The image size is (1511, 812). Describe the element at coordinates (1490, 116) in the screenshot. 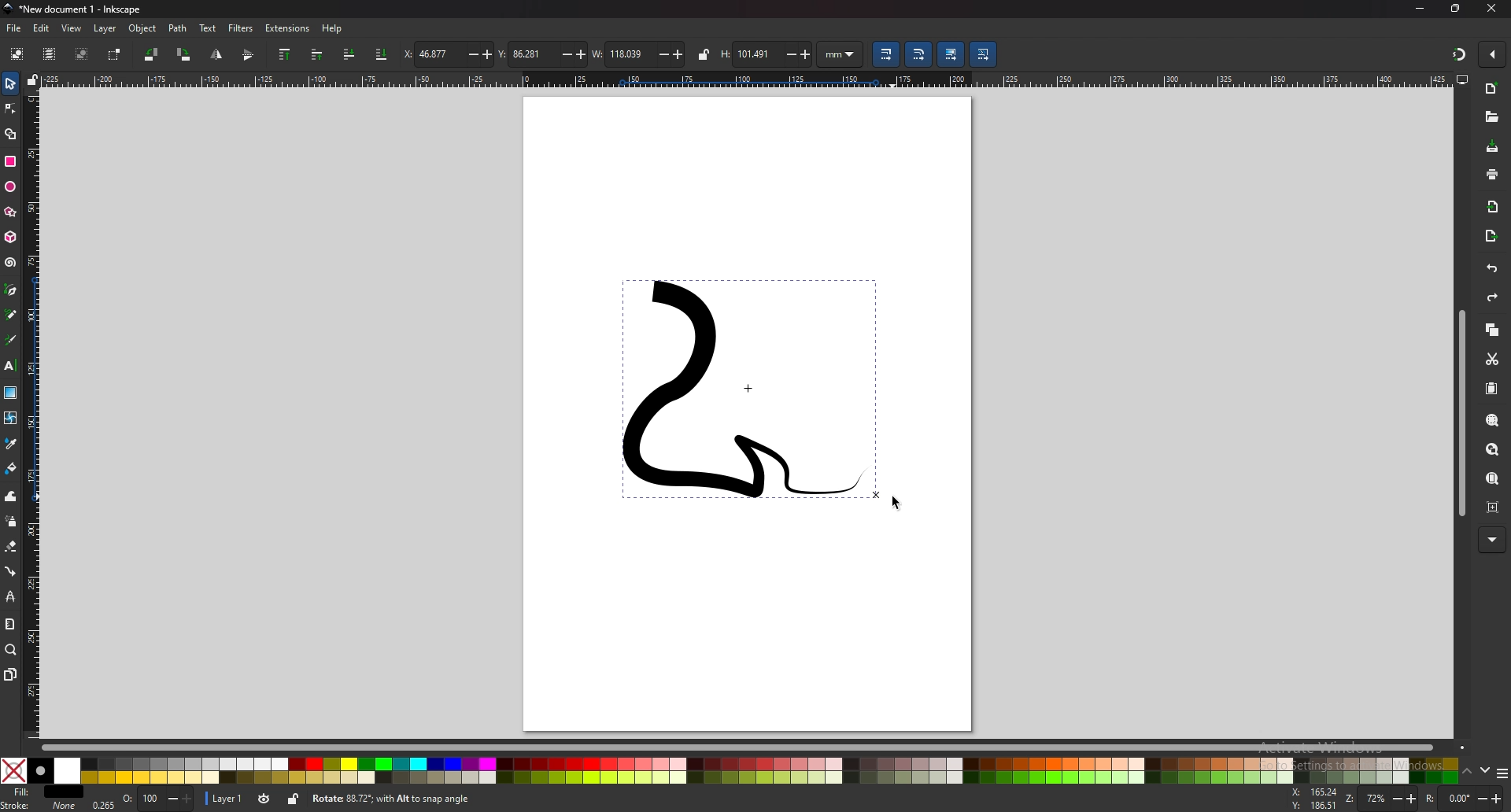

I see `open` at that location.